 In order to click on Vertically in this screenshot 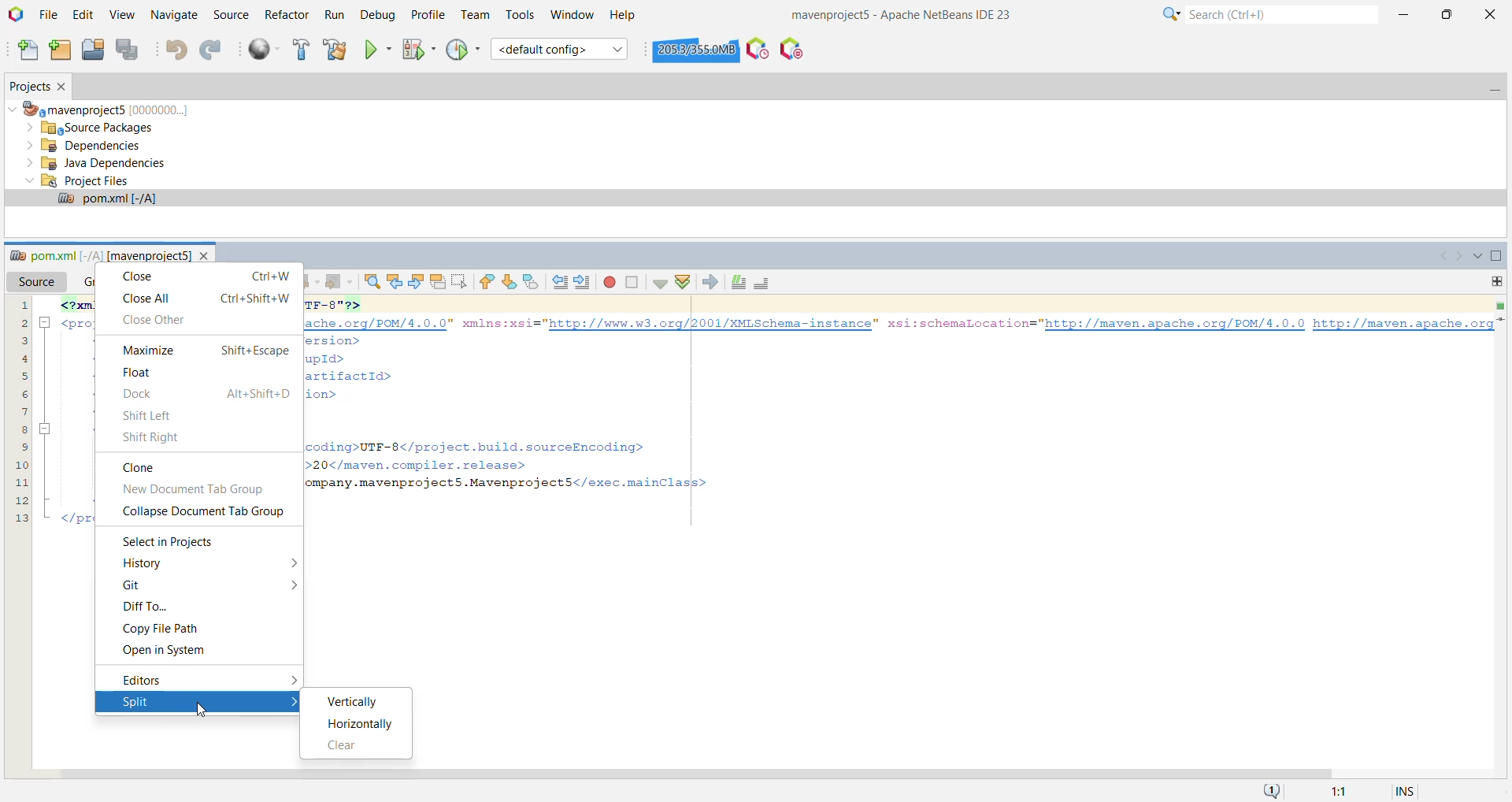, I will do `click(357, 702)`.